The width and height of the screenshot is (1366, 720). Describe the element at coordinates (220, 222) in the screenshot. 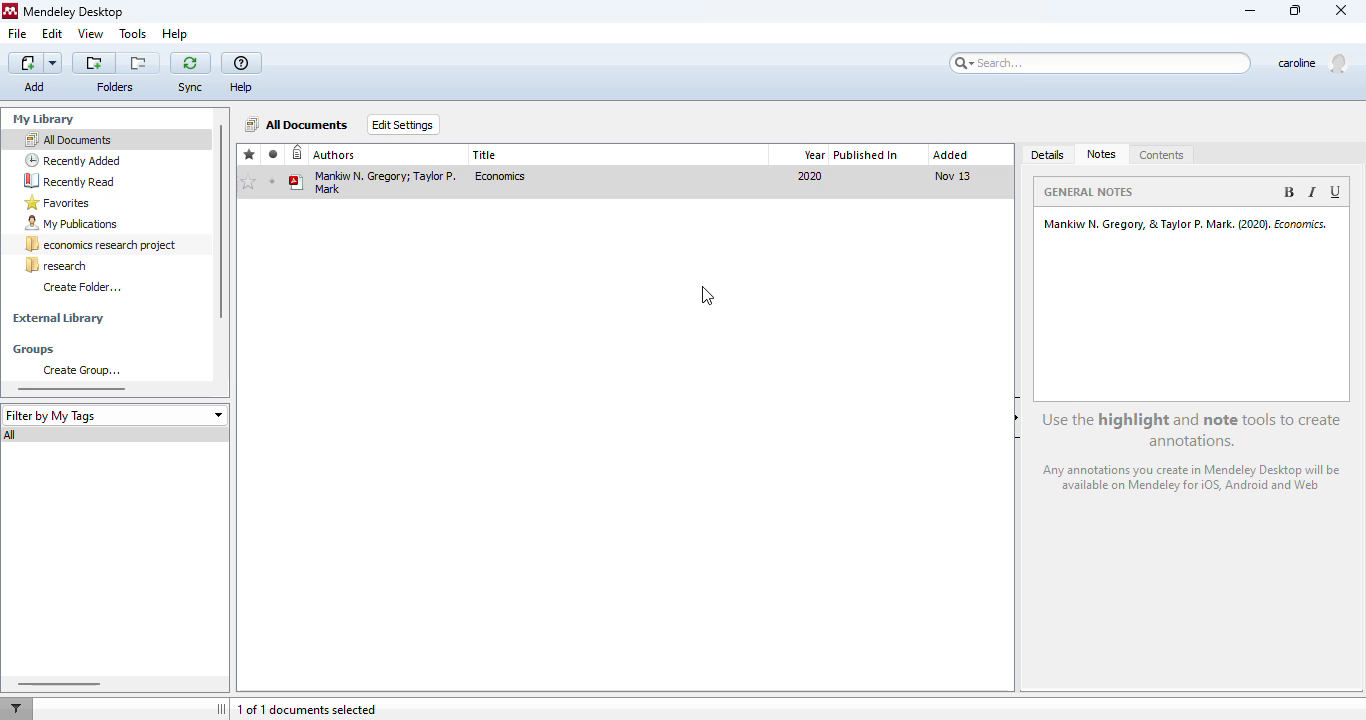

I see `vertical scroll bar` at that location.